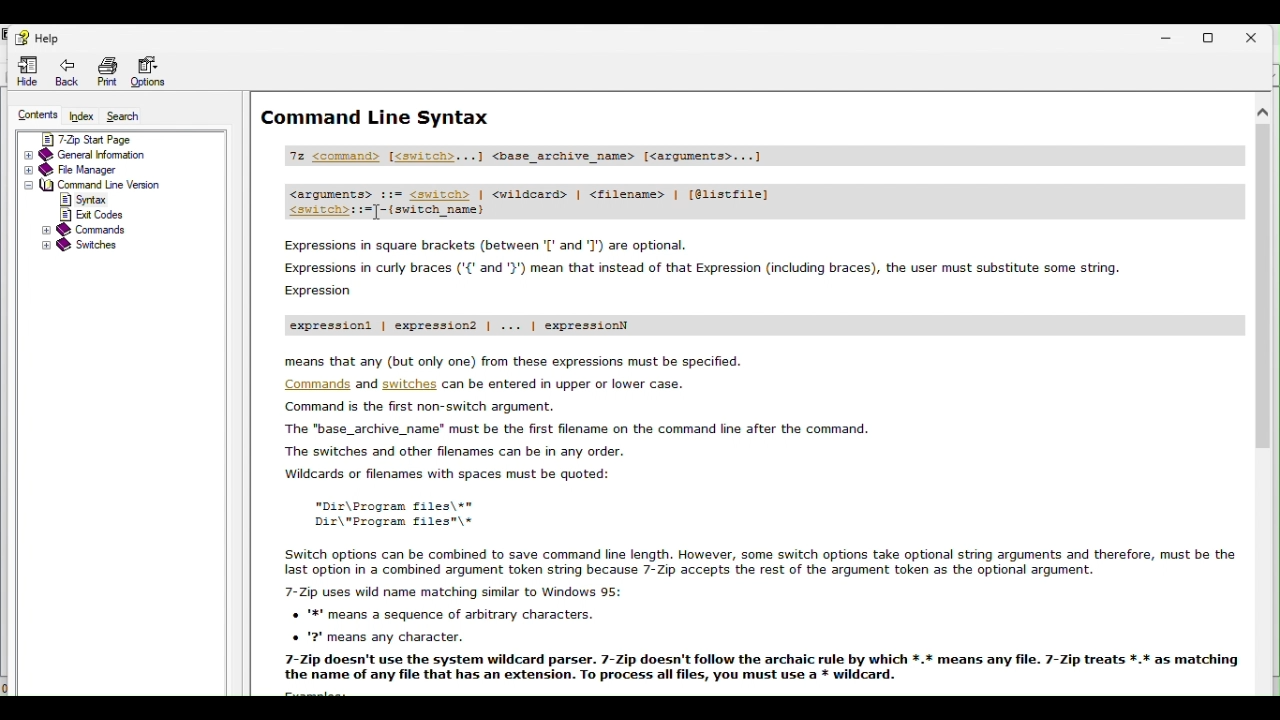  Describe the element at coordinates (319, 384) in the screenshot. I see `commands` at that location.